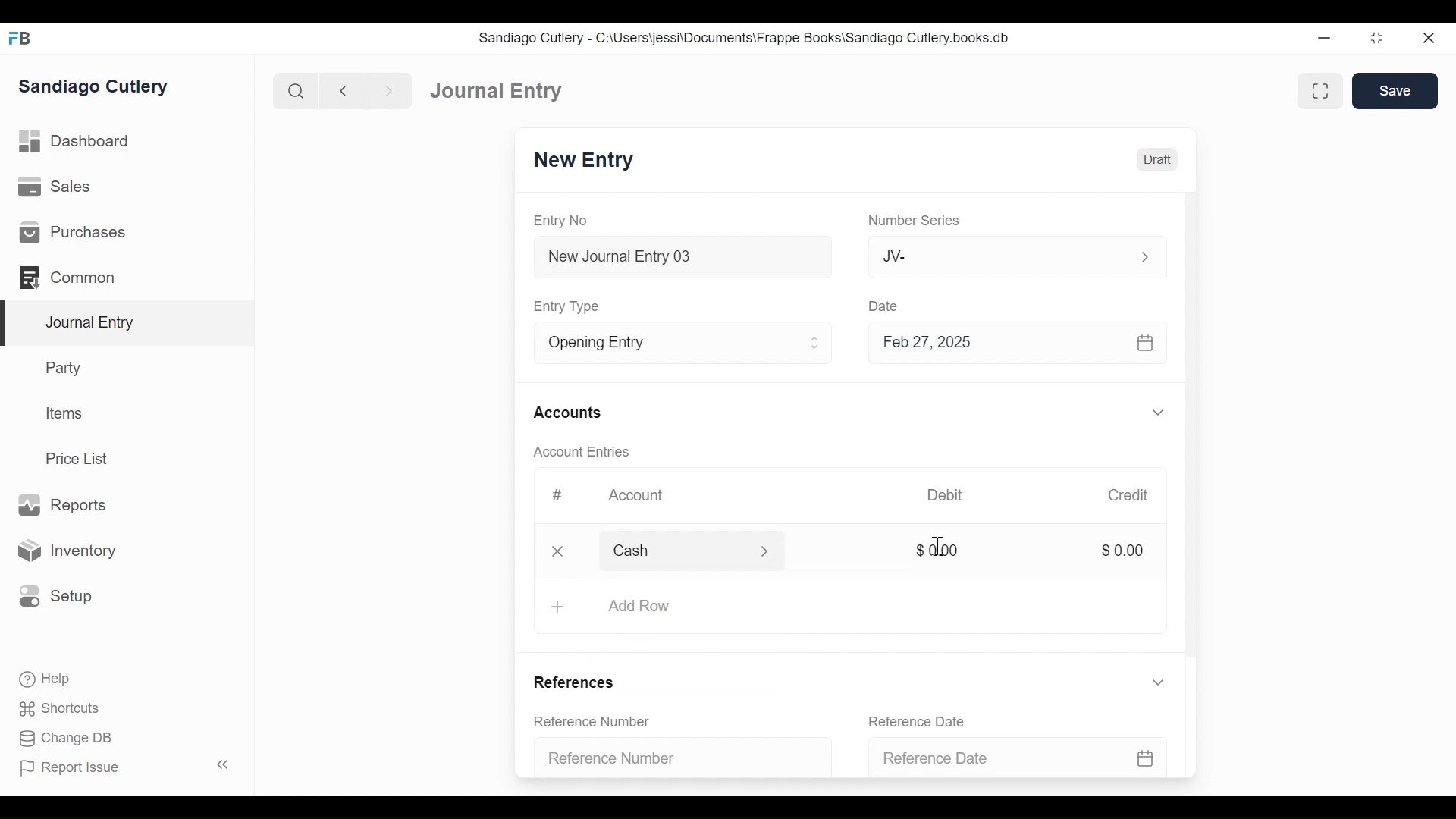 This screenshot has width=1456, height=819. Describe the element at coordinates (1020, 756) in the screenshot. I see `Reference Date` at that location.